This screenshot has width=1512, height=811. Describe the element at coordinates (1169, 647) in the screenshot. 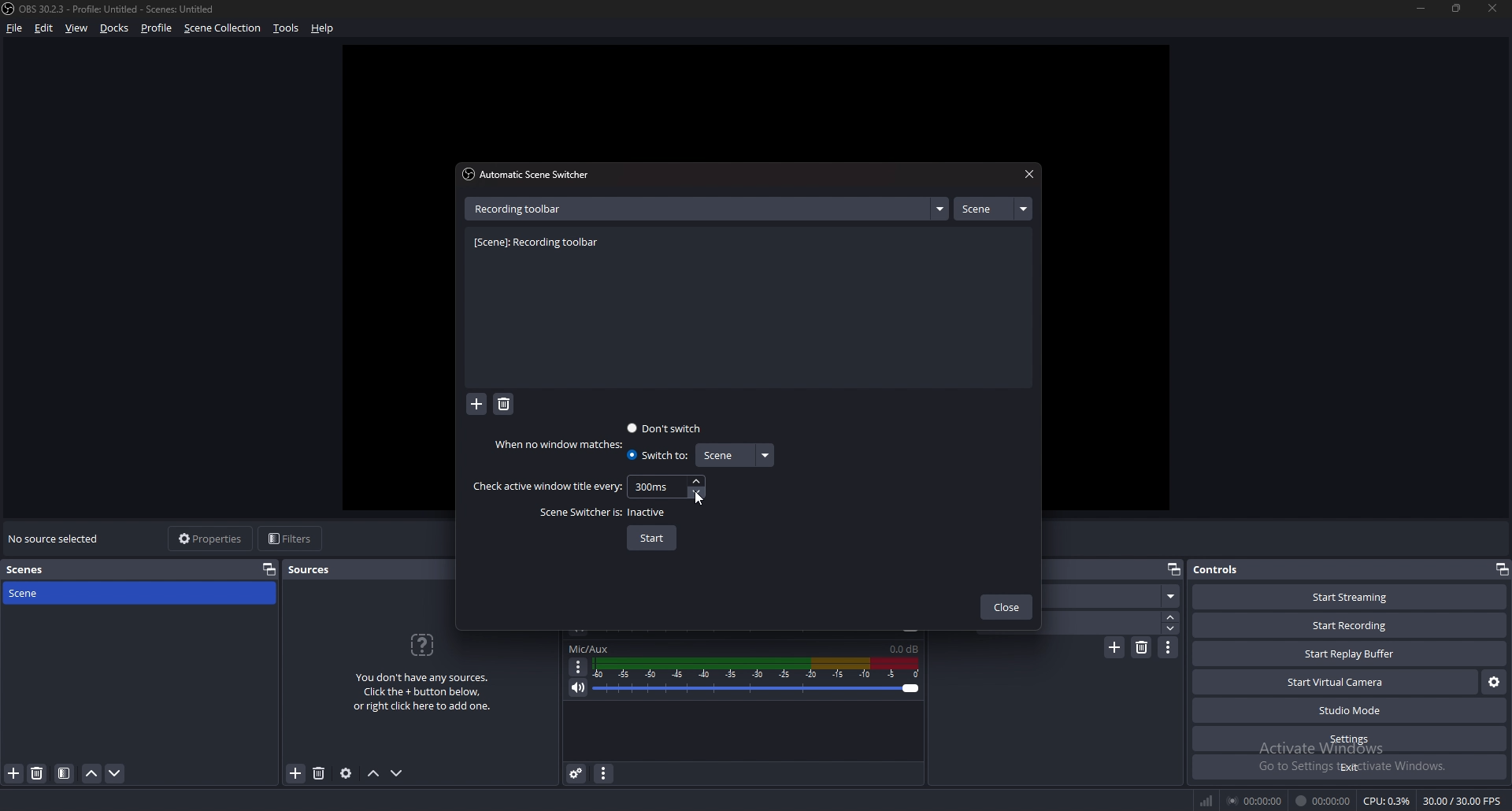

I see `transition properties` at that location.